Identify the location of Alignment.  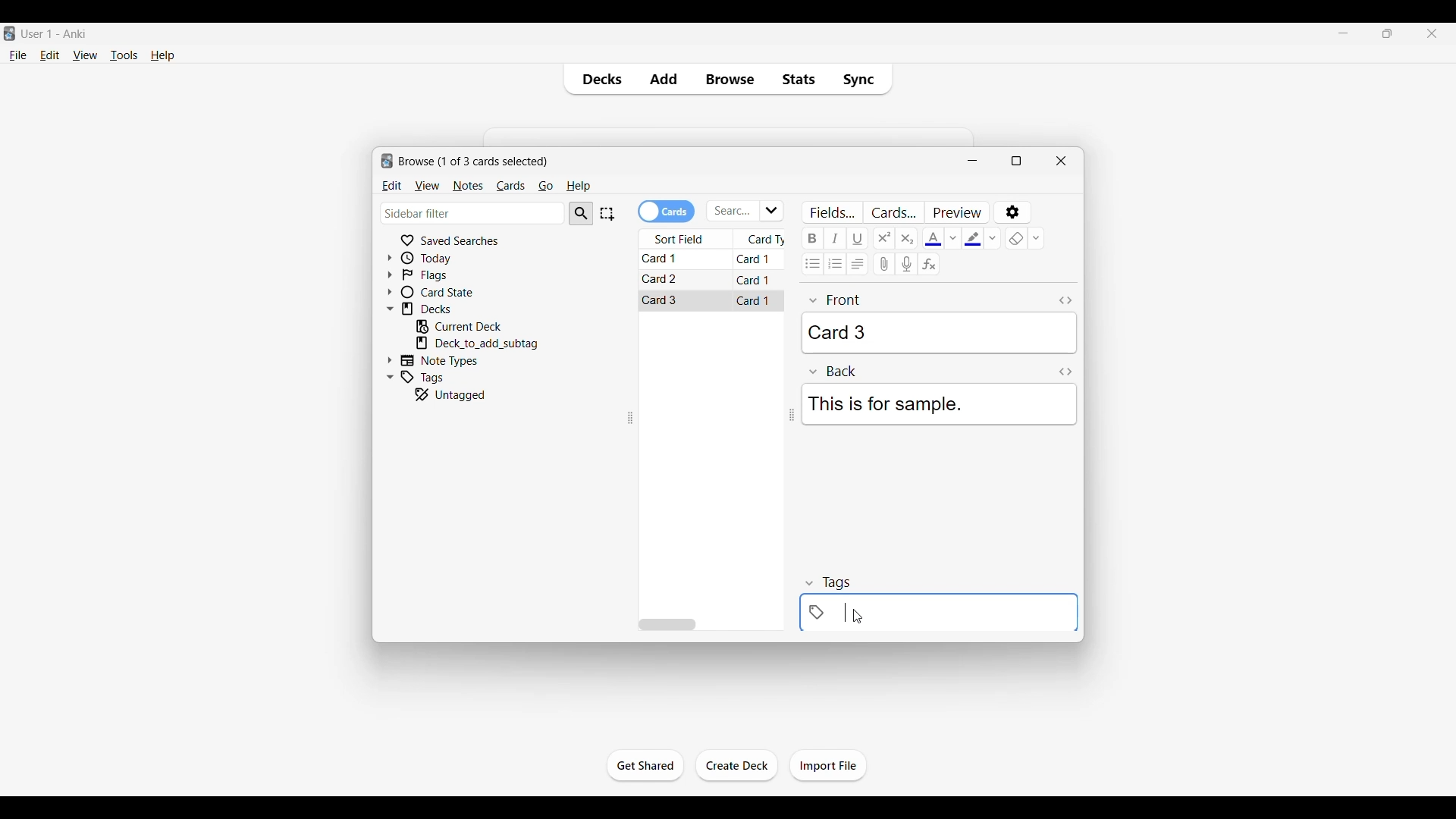
(857, 264).